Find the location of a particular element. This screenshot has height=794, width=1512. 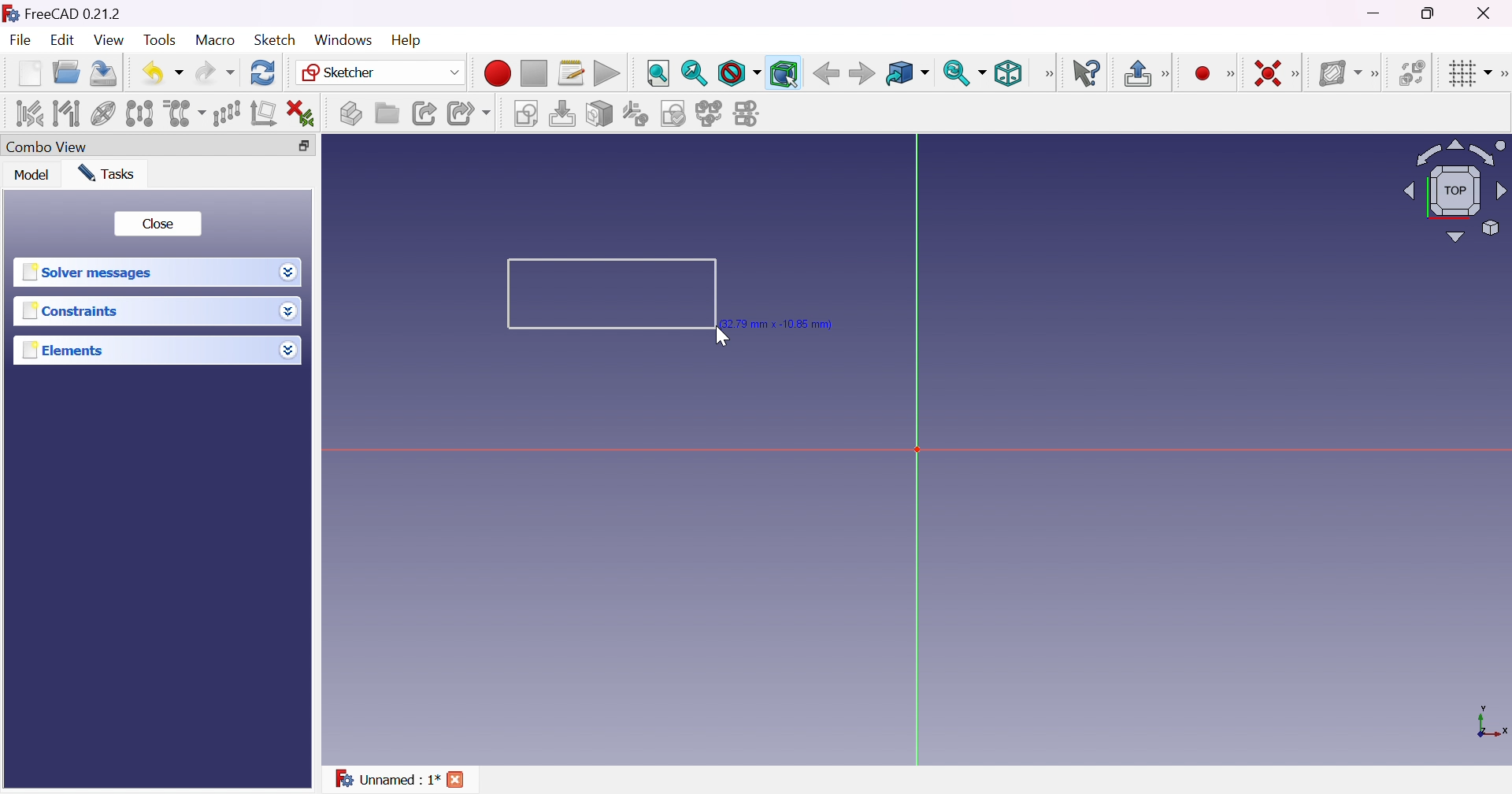

Undo is located at coordinates (163, 76).